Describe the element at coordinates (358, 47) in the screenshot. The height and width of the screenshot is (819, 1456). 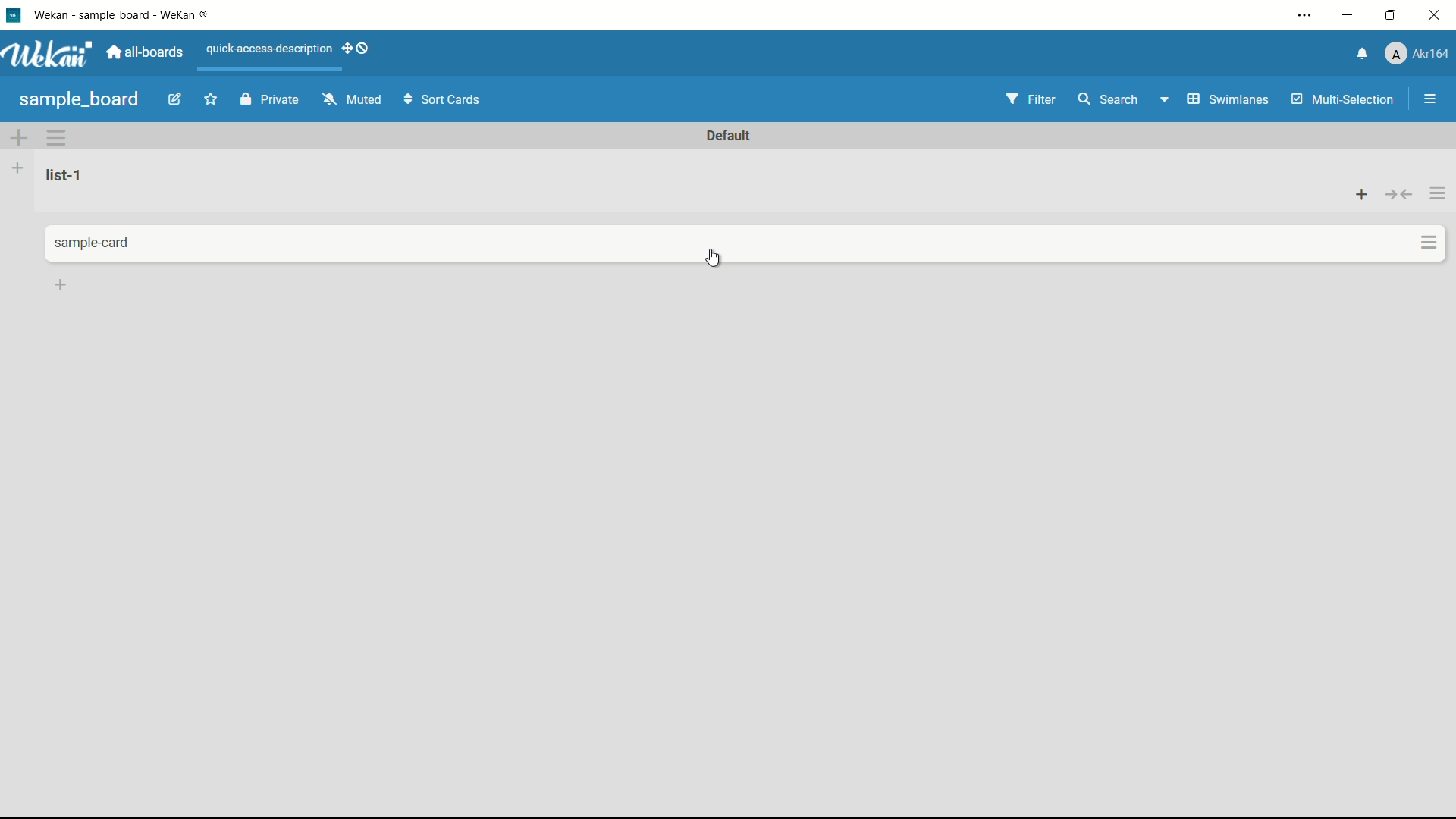
I see `show-desktop-drag-handles` at that location.